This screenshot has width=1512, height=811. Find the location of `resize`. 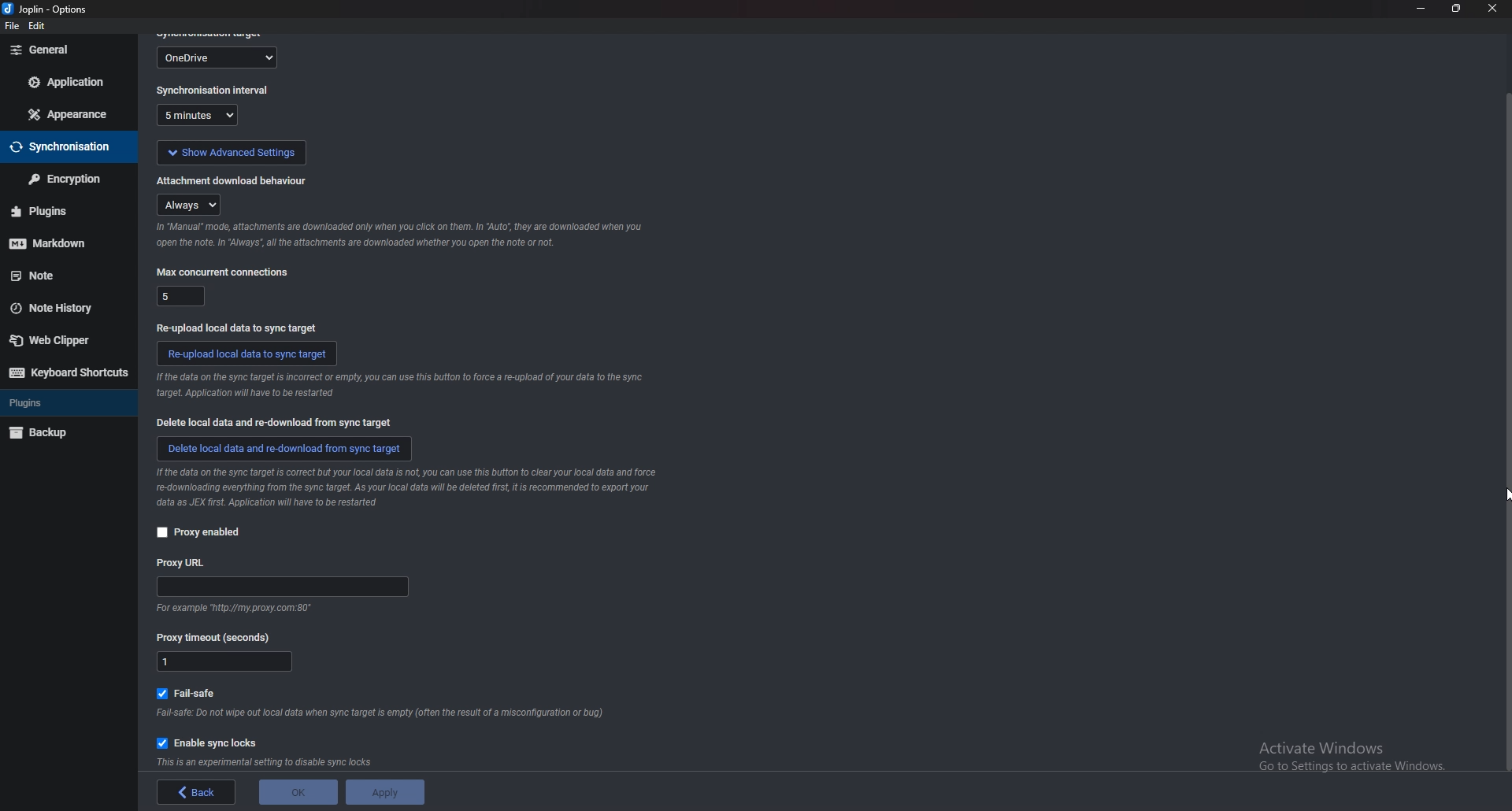

resize is located at coordinates (1455, 9).